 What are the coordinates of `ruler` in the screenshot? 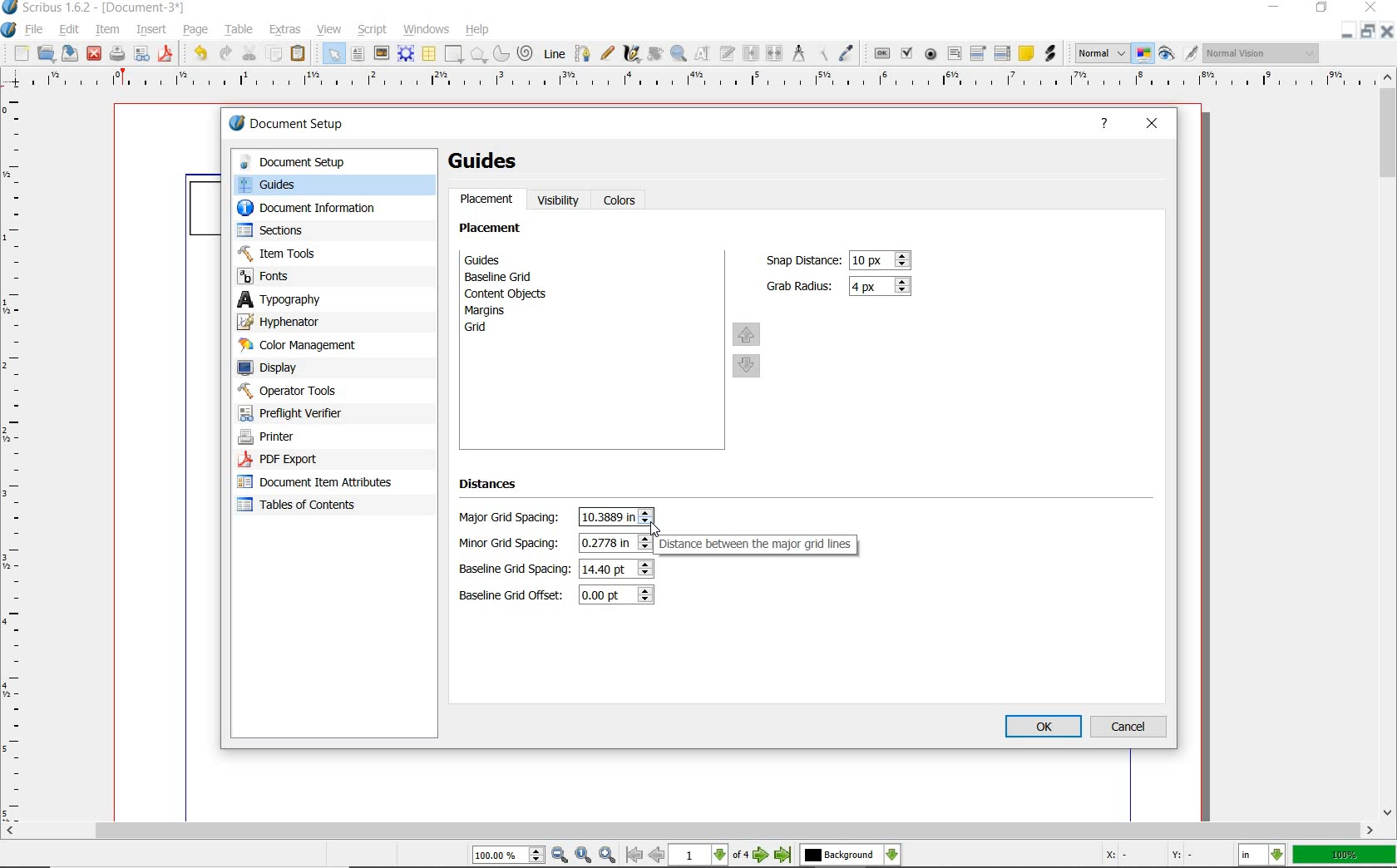 It's located at (19, 460).